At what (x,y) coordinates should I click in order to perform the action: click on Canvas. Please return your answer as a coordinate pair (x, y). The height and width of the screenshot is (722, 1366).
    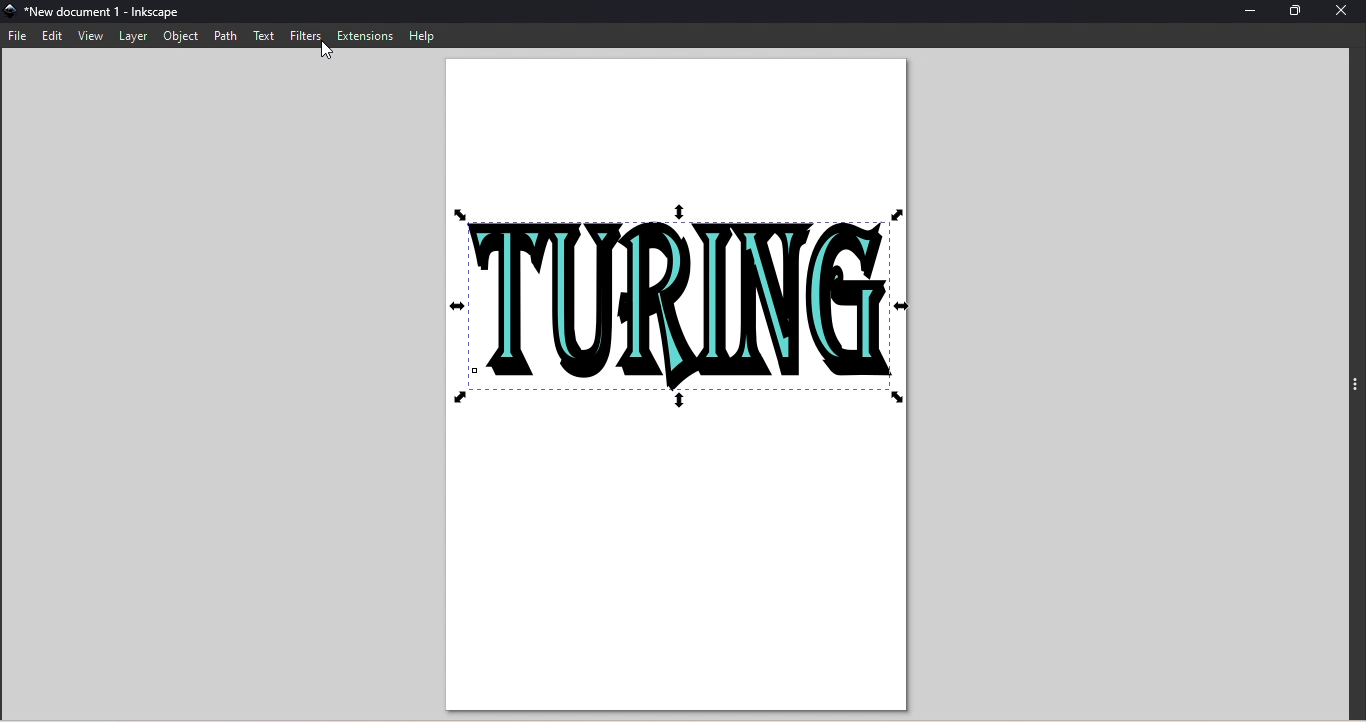
    Looking at the image, I should click on (669, 384).